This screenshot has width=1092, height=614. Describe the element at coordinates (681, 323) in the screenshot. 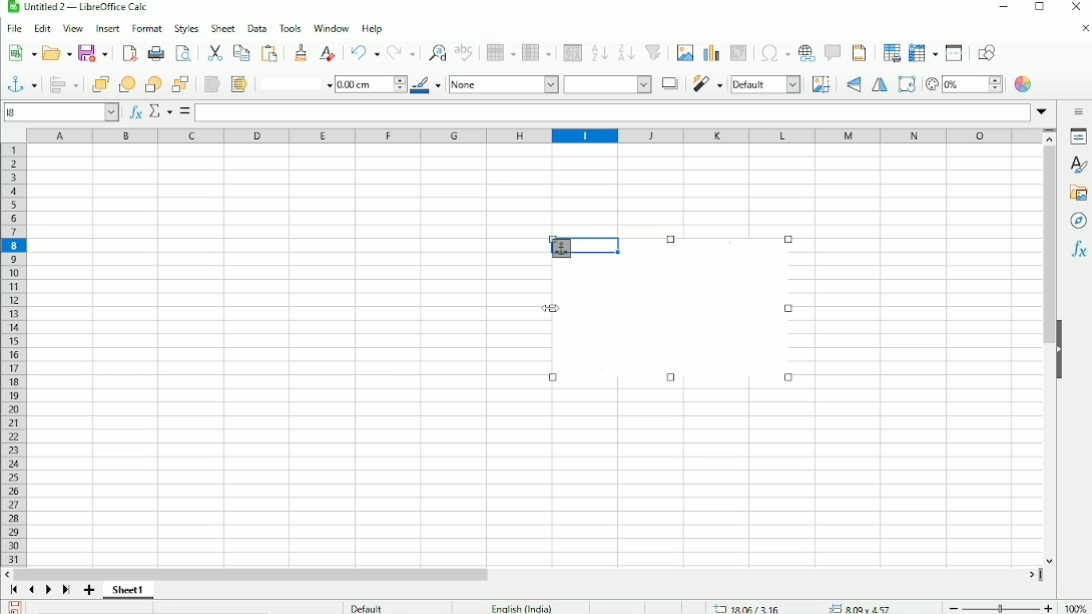

I see `Image` at that location.